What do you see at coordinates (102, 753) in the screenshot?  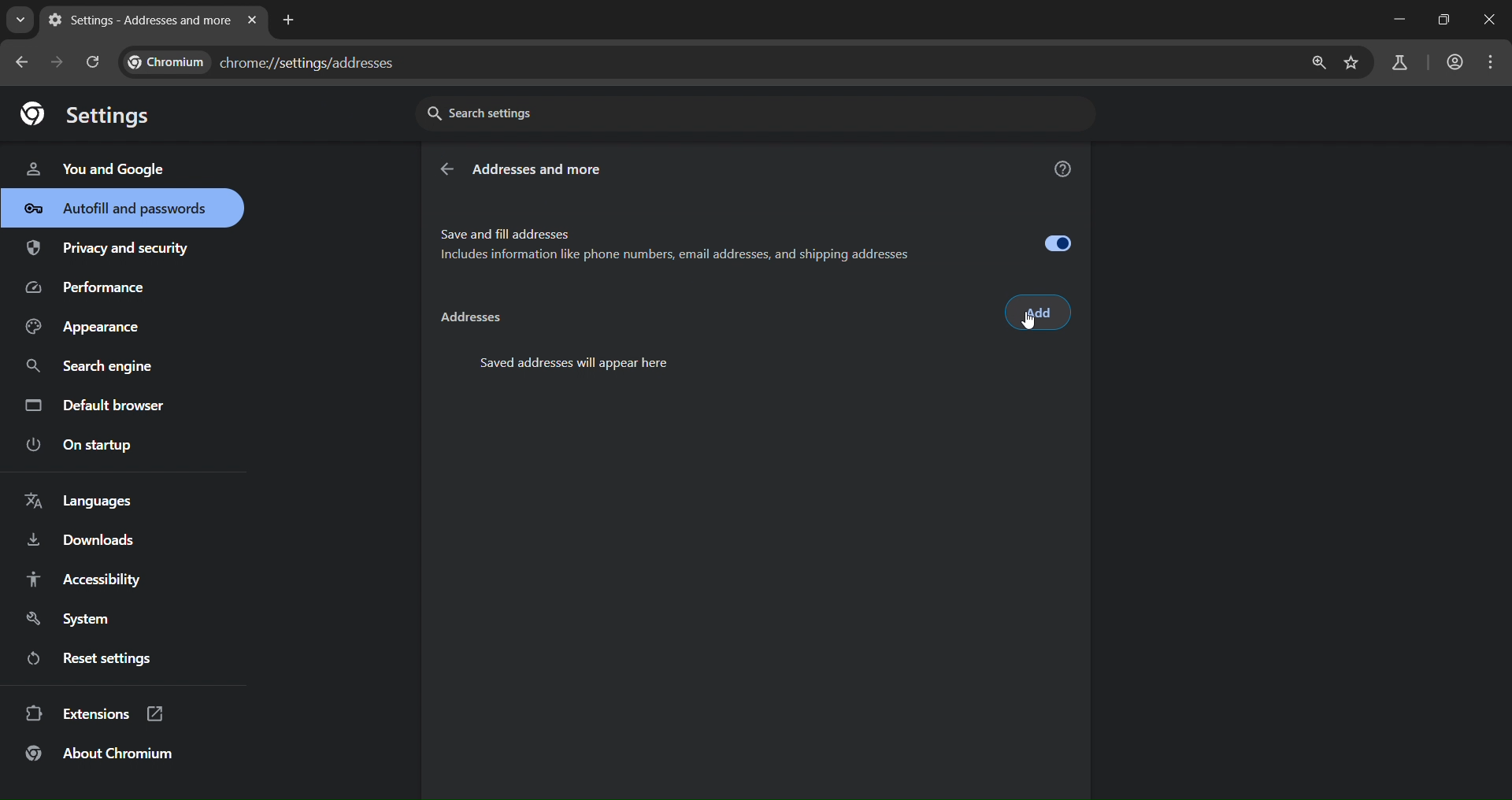 I see `bout chromium` at bounding box center [102, 753].